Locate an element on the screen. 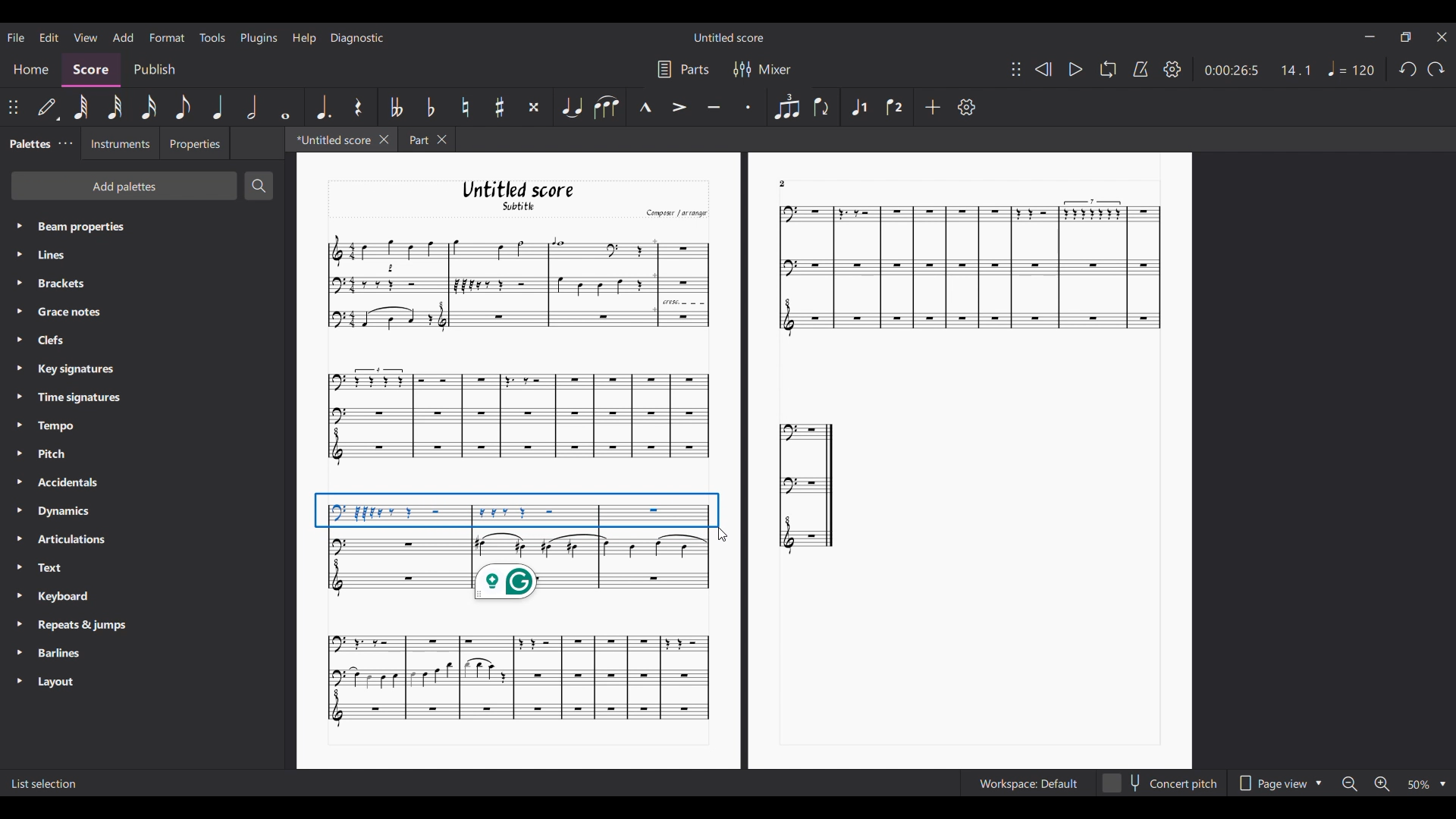  Help menu is located at coordinates (304, 38).